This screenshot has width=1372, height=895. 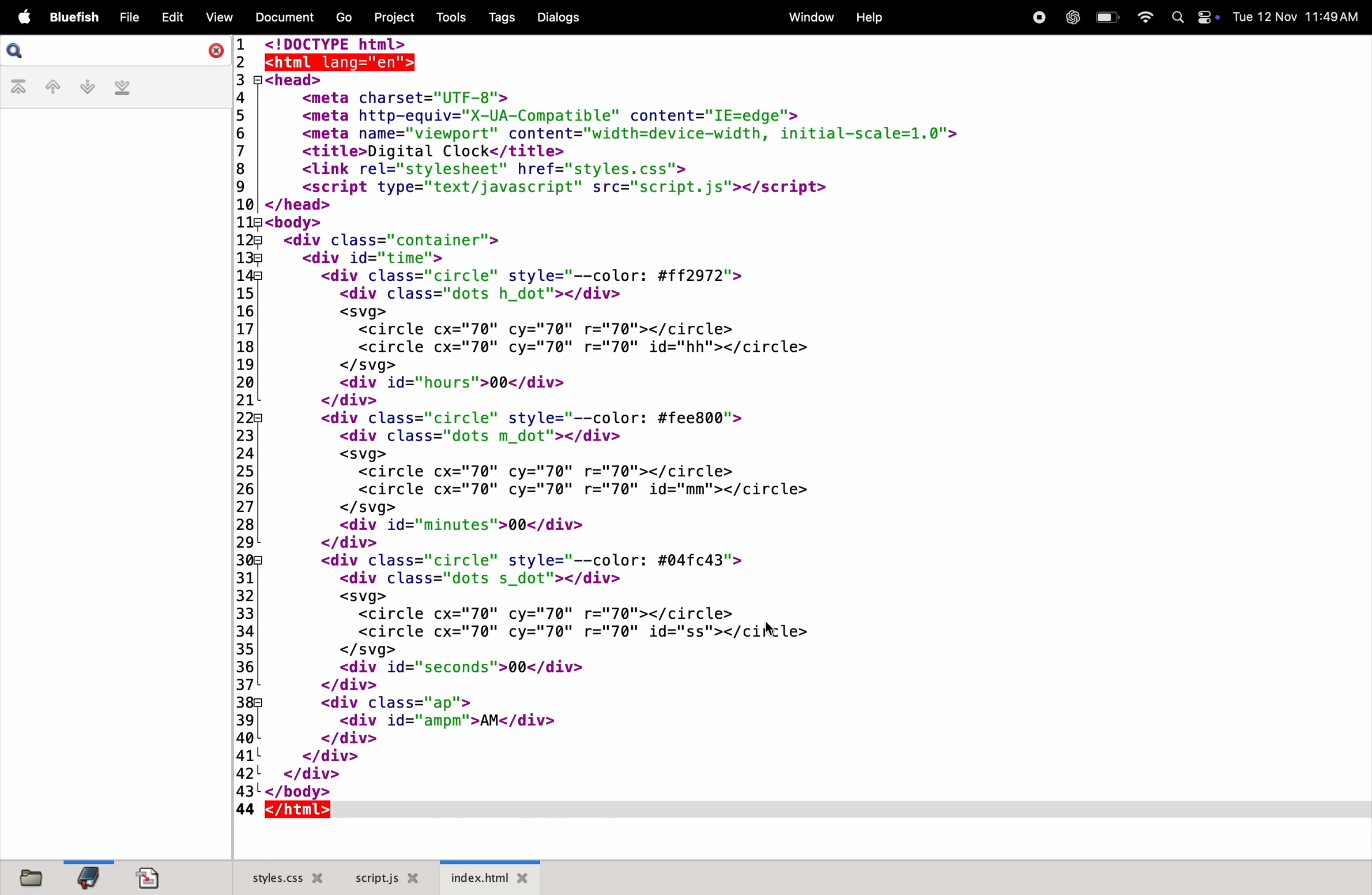 I want to click on file, so click(x=128, y=18).